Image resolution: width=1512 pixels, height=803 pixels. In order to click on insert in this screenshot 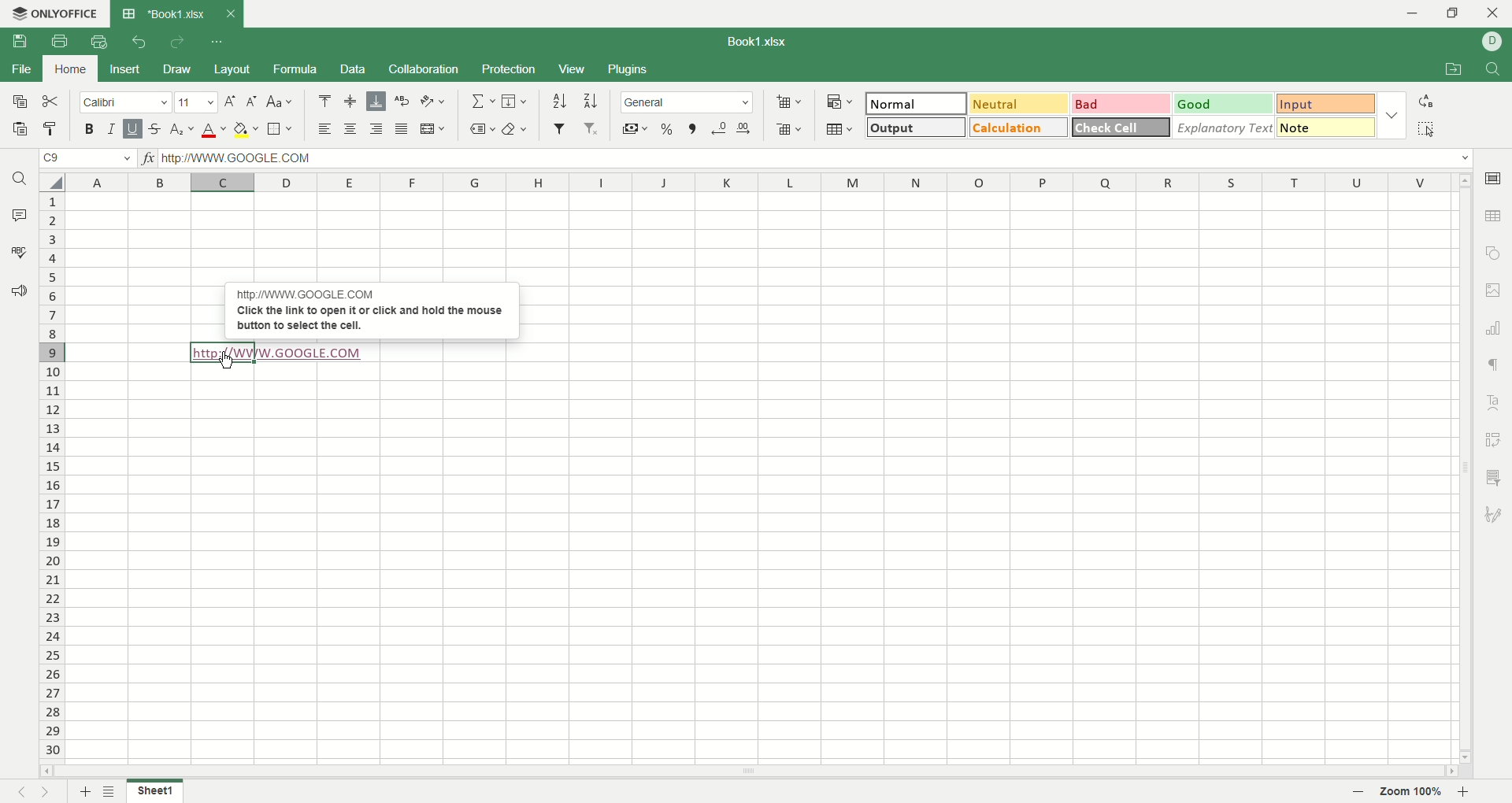, I will do `click(124, 70)`.